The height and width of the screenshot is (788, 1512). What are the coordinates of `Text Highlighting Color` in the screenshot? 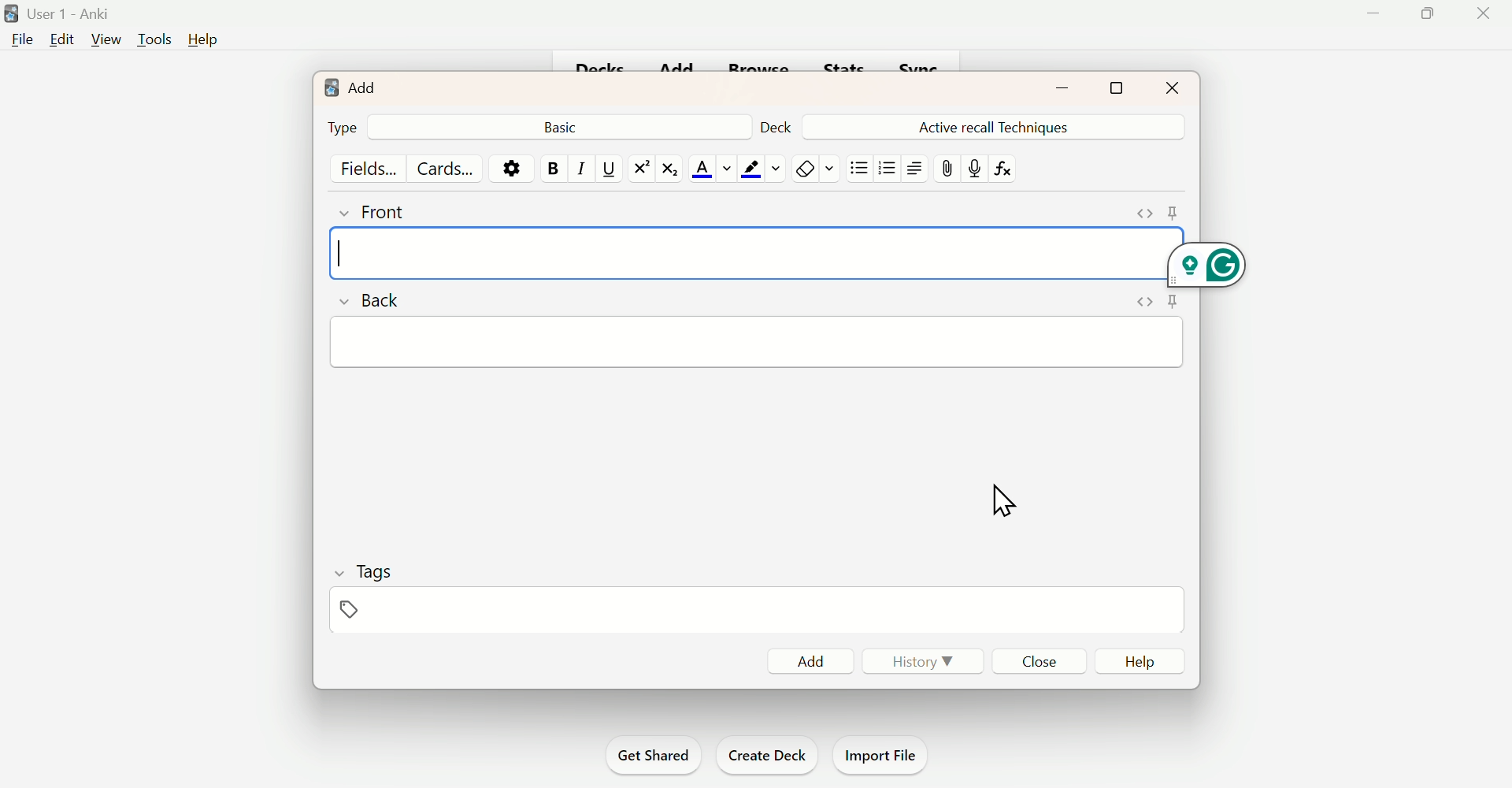 It's located at (759, 167).